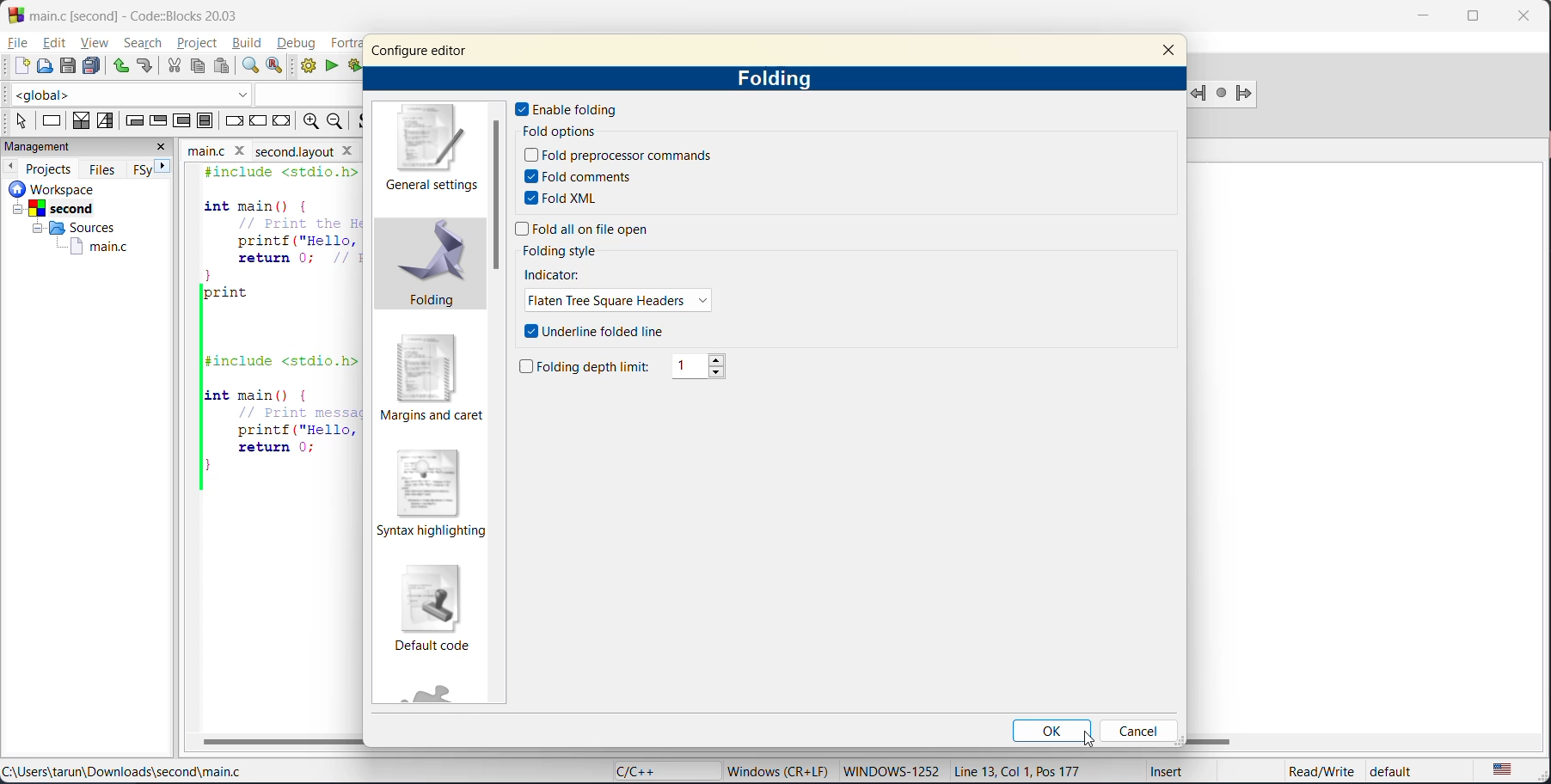 This screenshot has height=784, width=1551. I want to click on zoom out, so click(340, 121).